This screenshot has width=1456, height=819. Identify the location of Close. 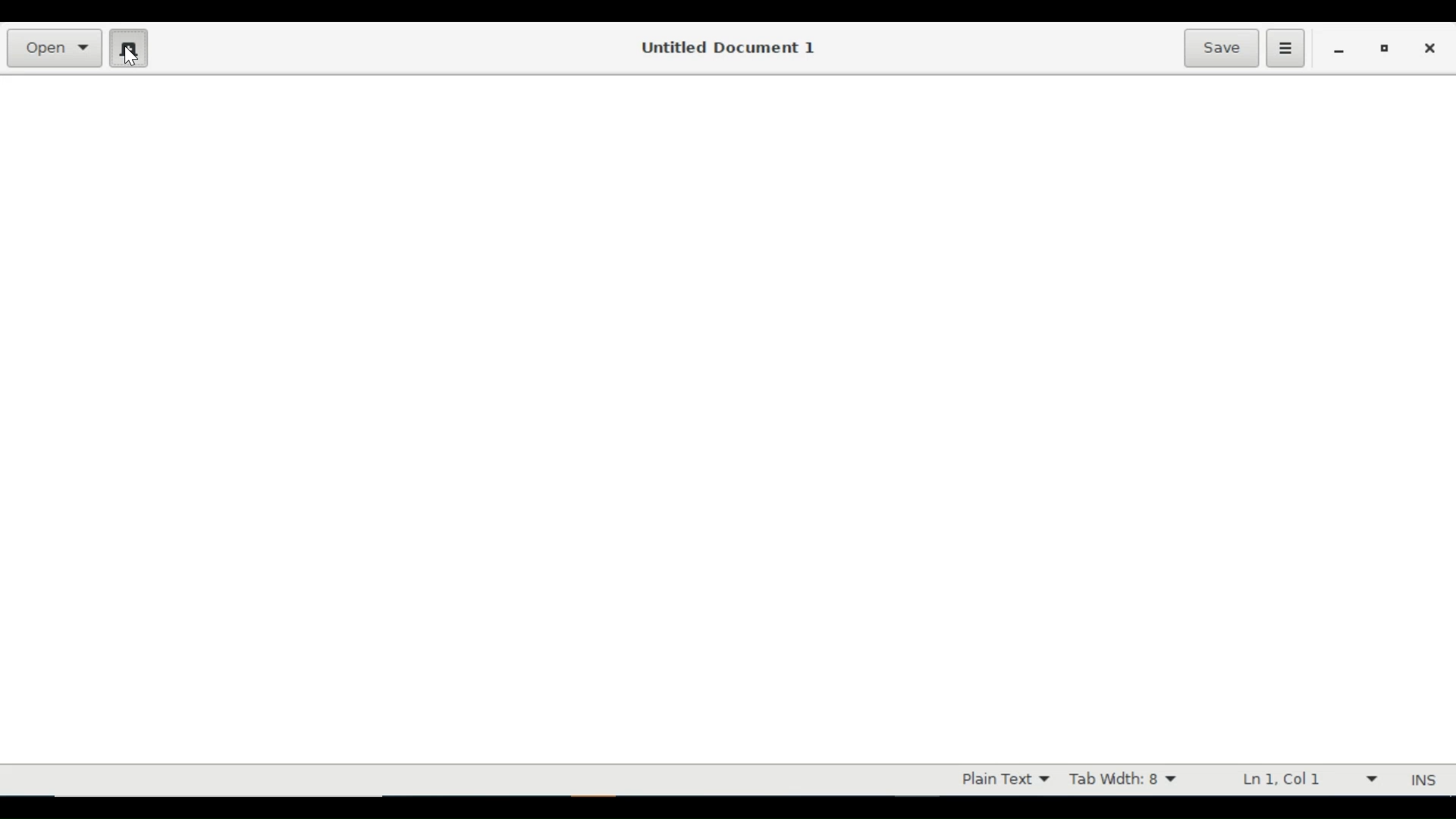
(1434, 48).